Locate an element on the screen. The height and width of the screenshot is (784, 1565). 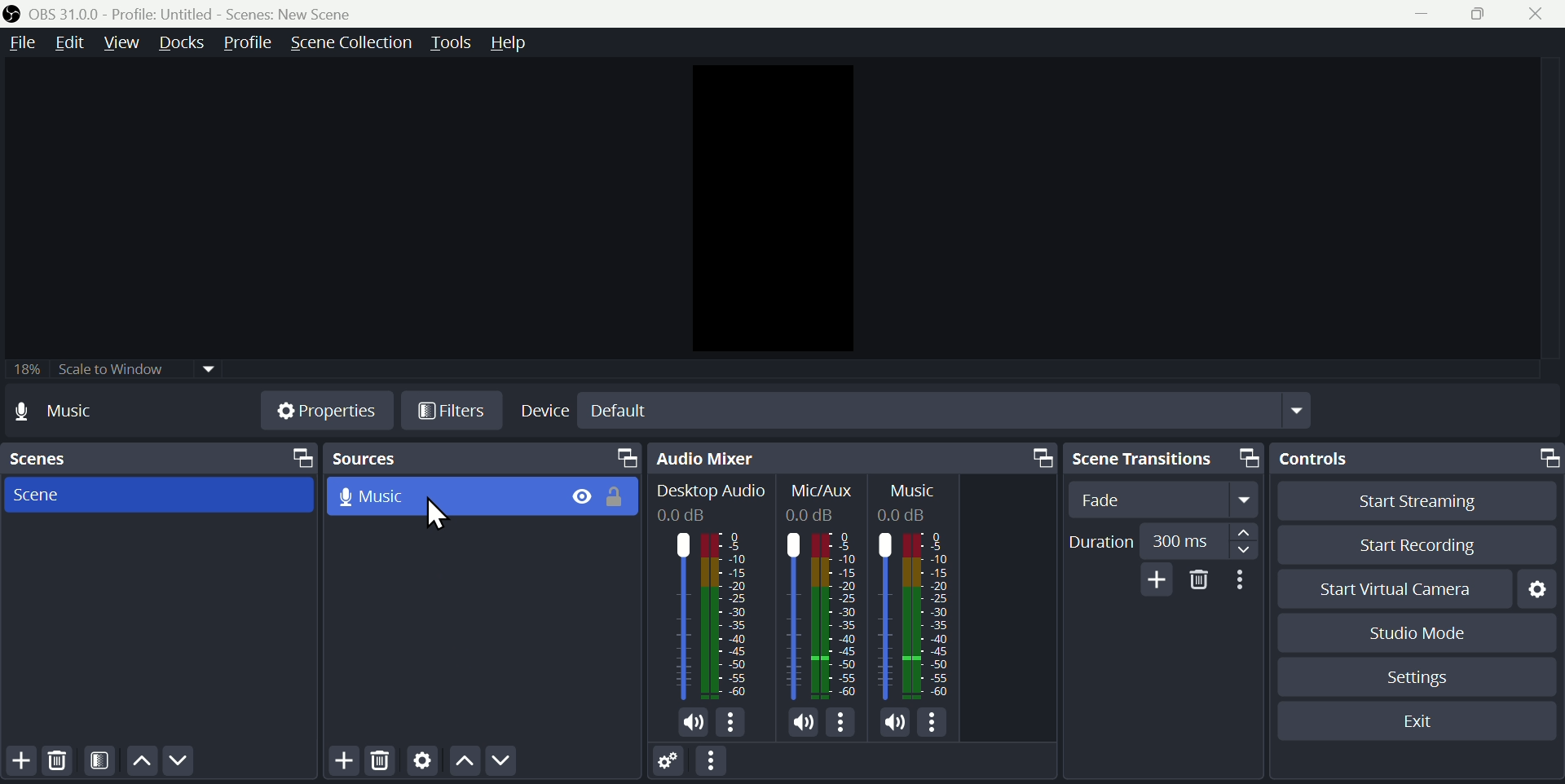
Unlock is located at coordinates (619, 499).